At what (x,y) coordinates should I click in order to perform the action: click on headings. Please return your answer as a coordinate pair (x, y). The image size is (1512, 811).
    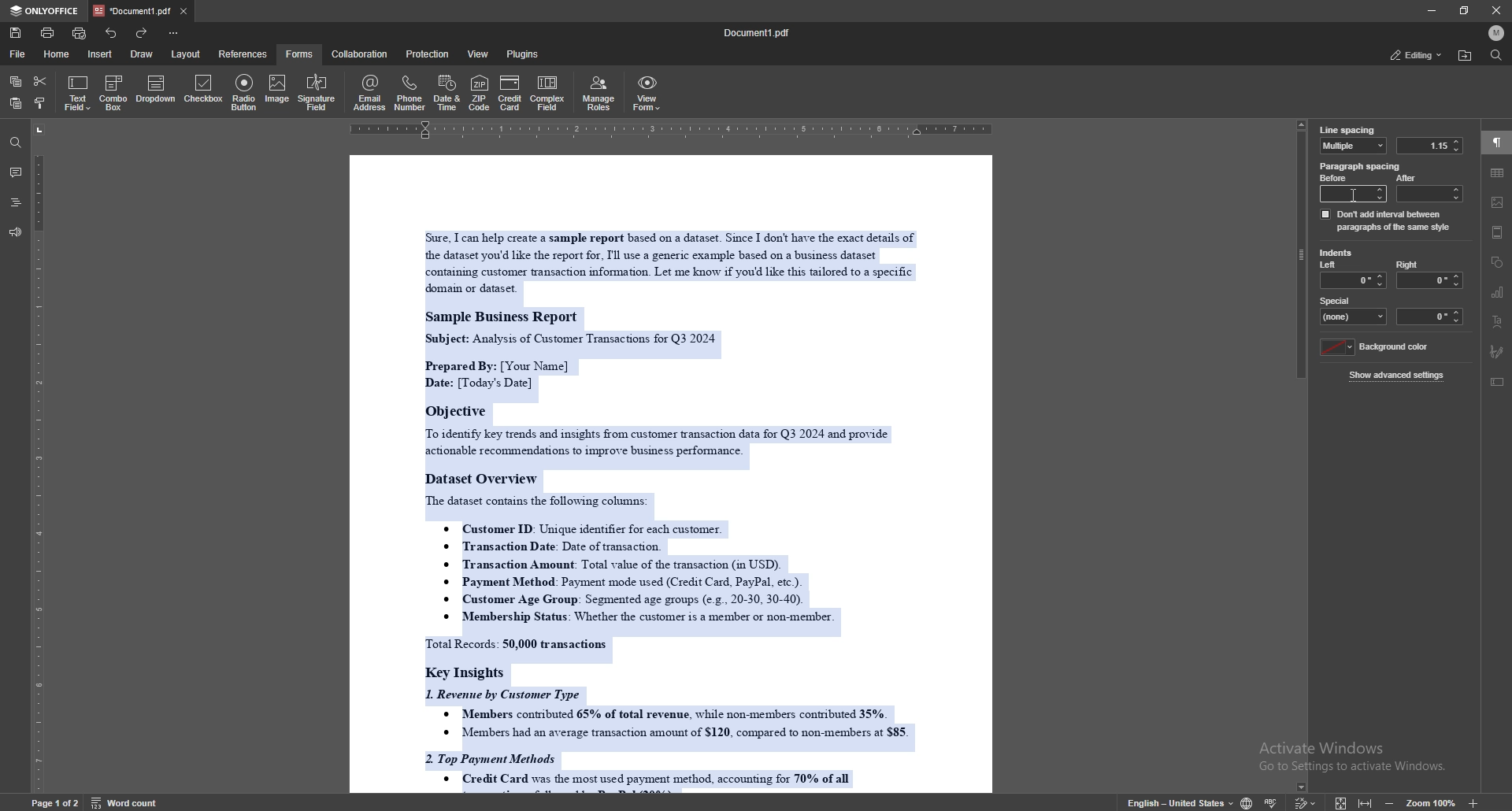
    Looking at the image, I should click on (16, 202).